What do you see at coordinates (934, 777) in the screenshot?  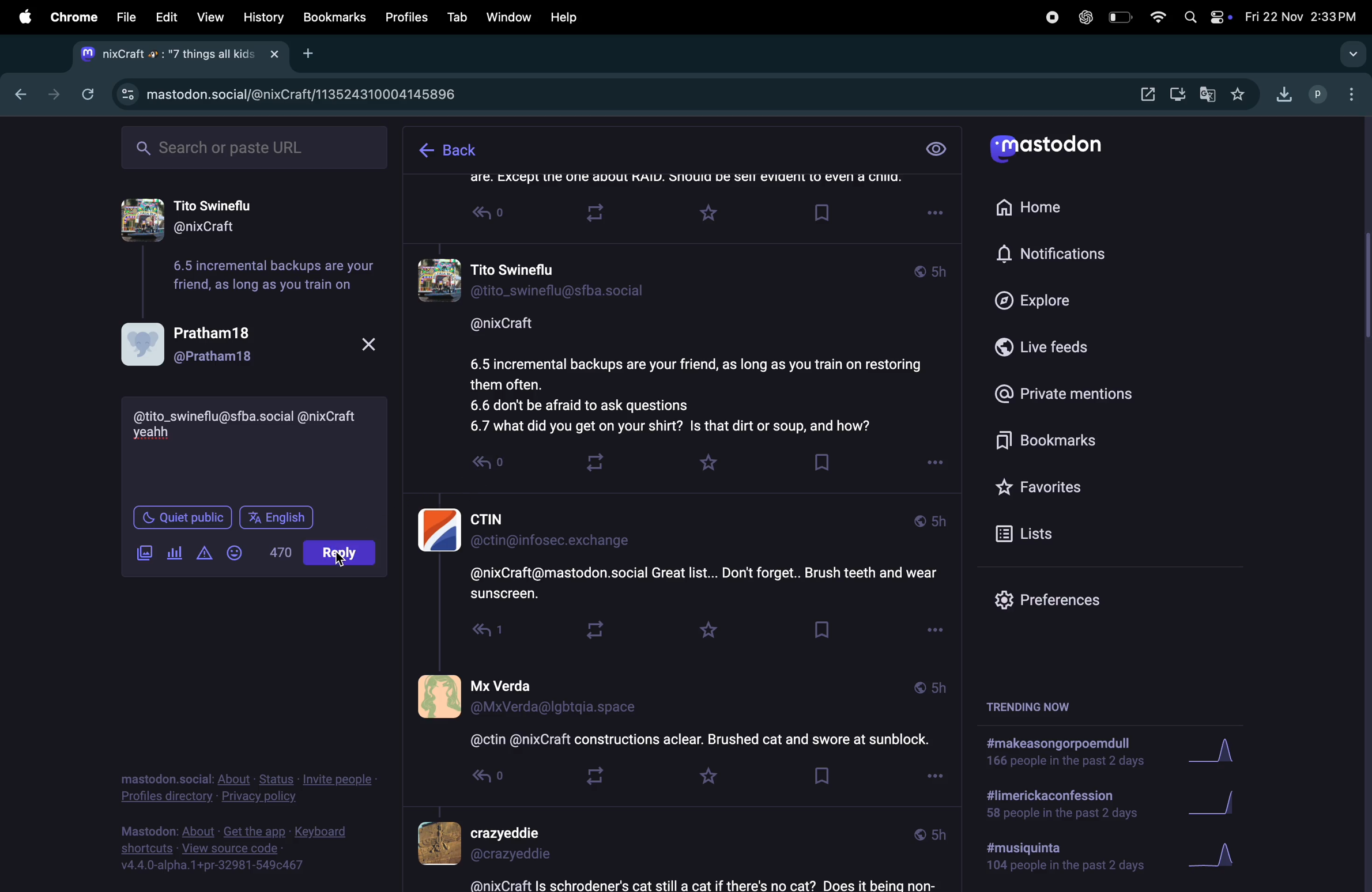 I see `options` at bounding box center [934, 777].